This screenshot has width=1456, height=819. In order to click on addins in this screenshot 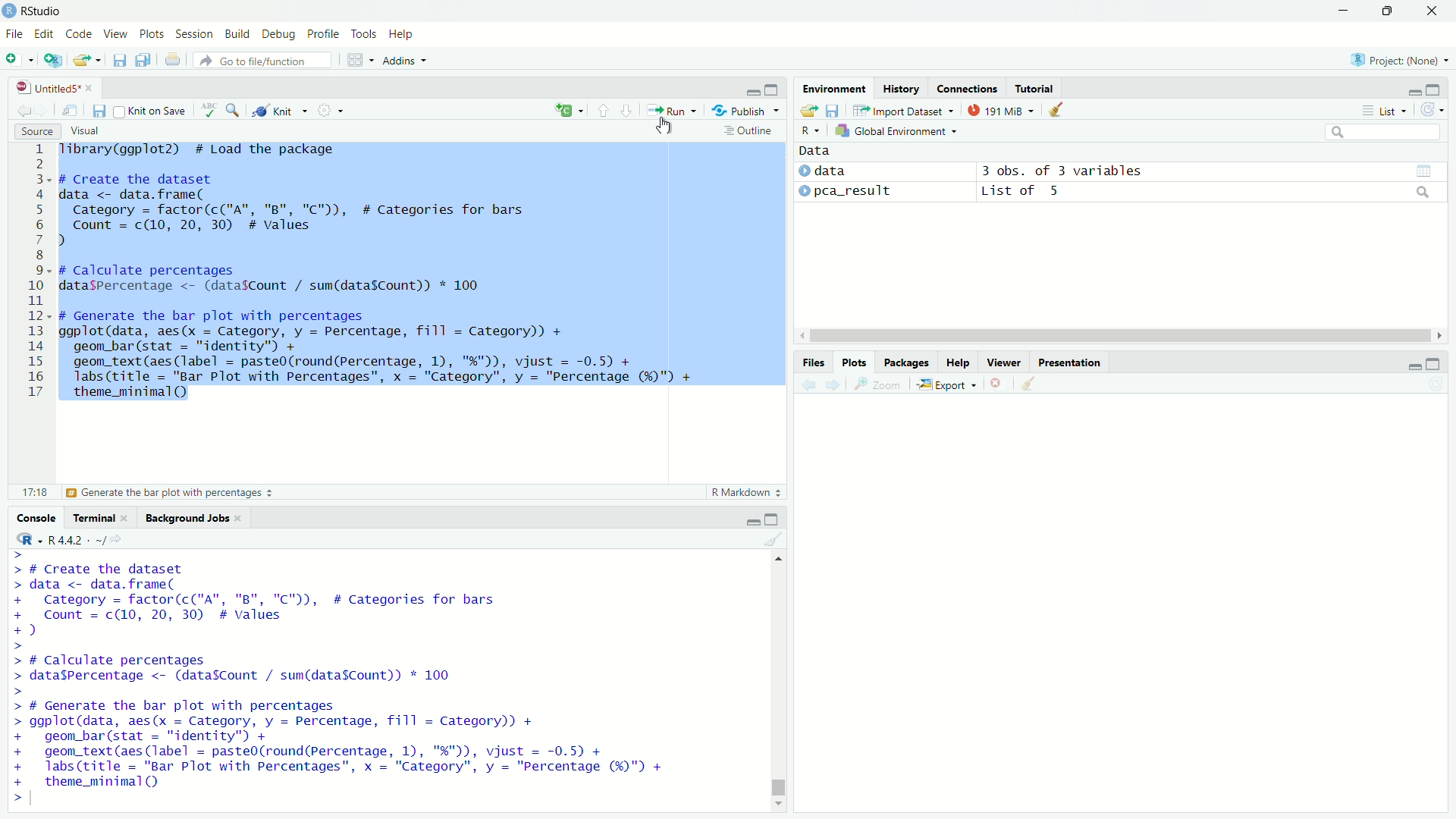, I will do `click(403, 60)`.